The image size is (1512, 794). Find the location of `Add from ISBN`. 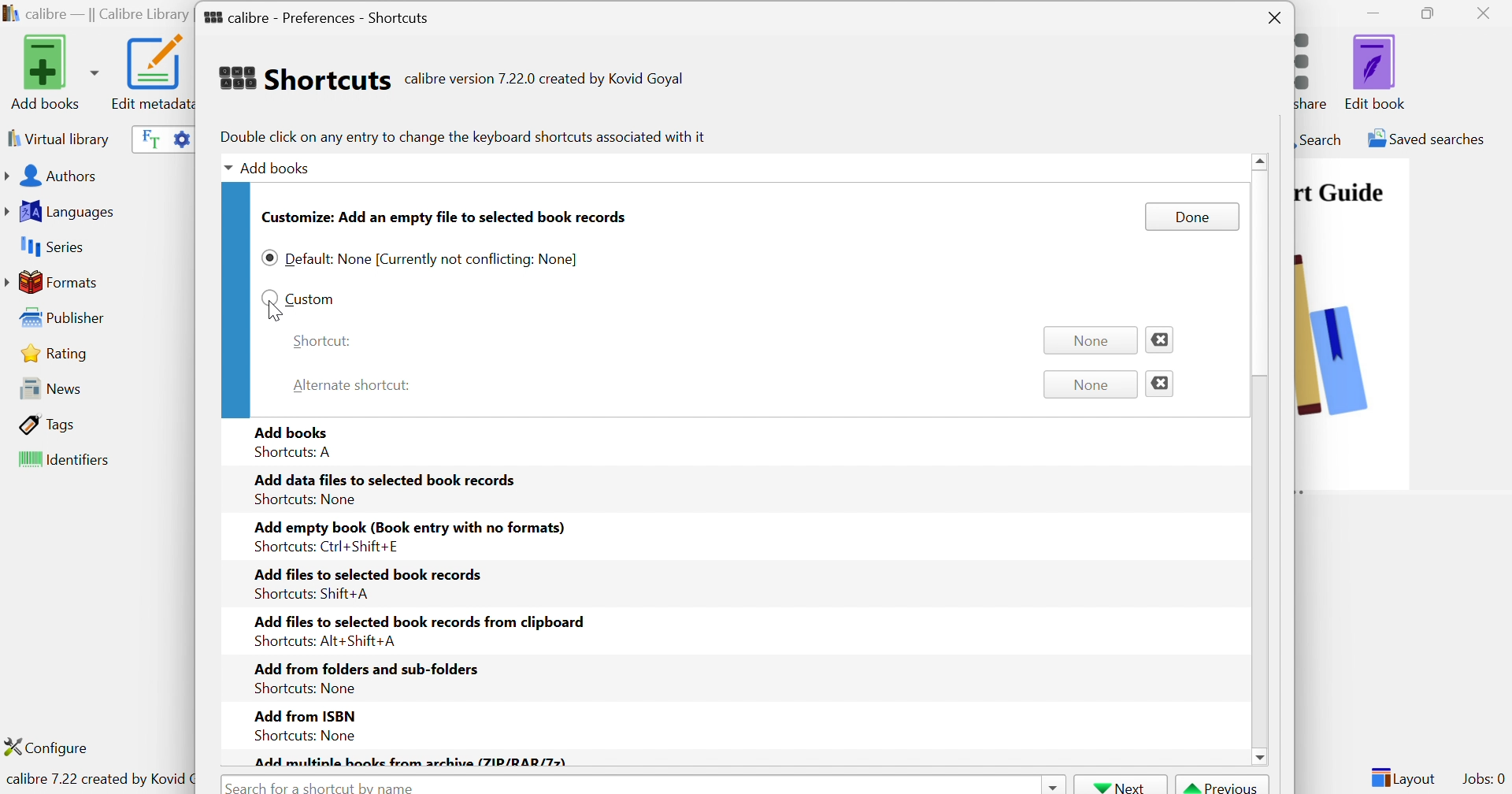

Add from ISBN is located at coordinates (303, 714).